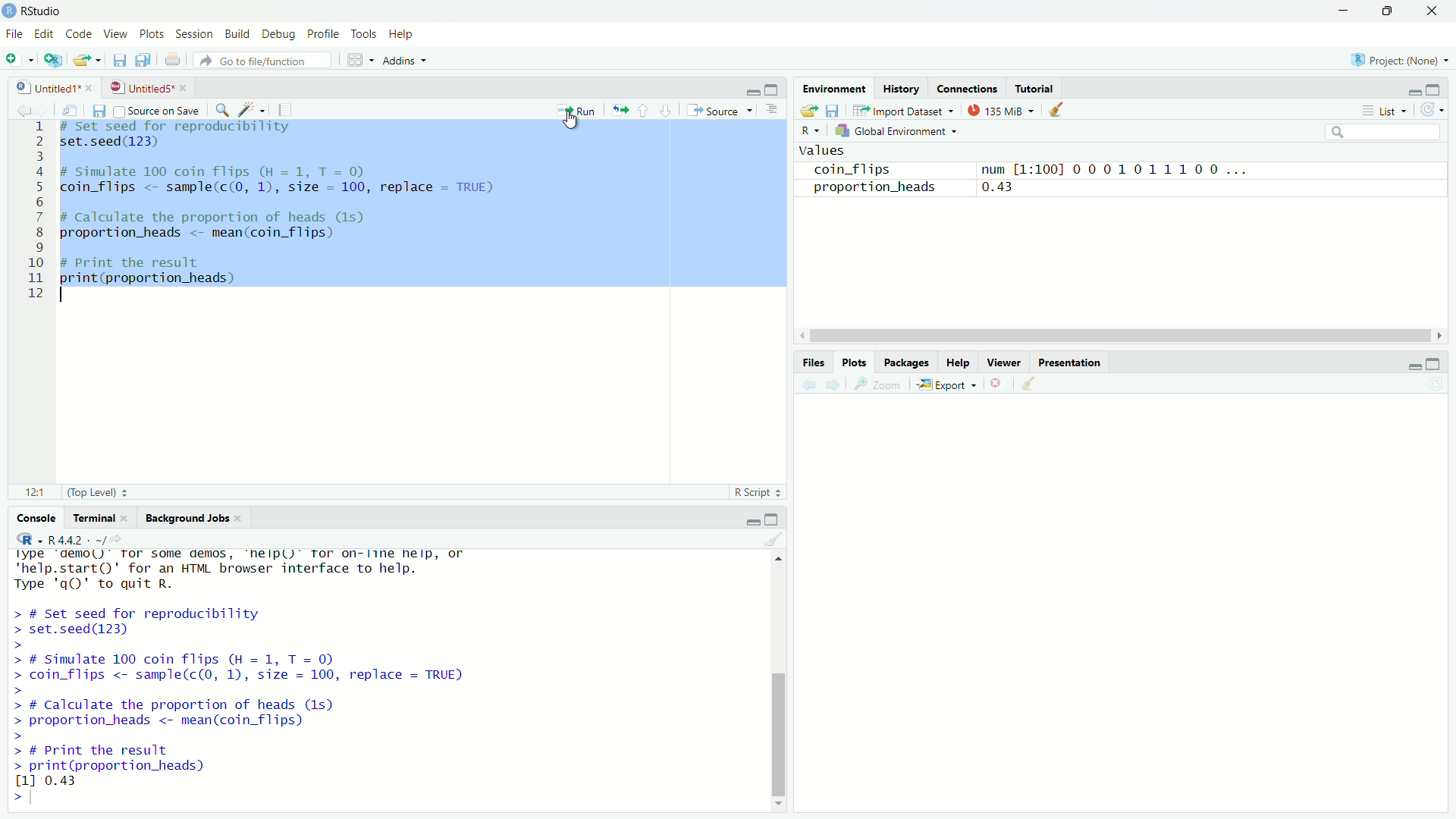 This screenshot has height=819, width=1456. What do you see at coordinates (214, 236) in the screenshot?
I see `proportion_heads <- mean(coin_t1ips)` at bounding box center [214, 236].